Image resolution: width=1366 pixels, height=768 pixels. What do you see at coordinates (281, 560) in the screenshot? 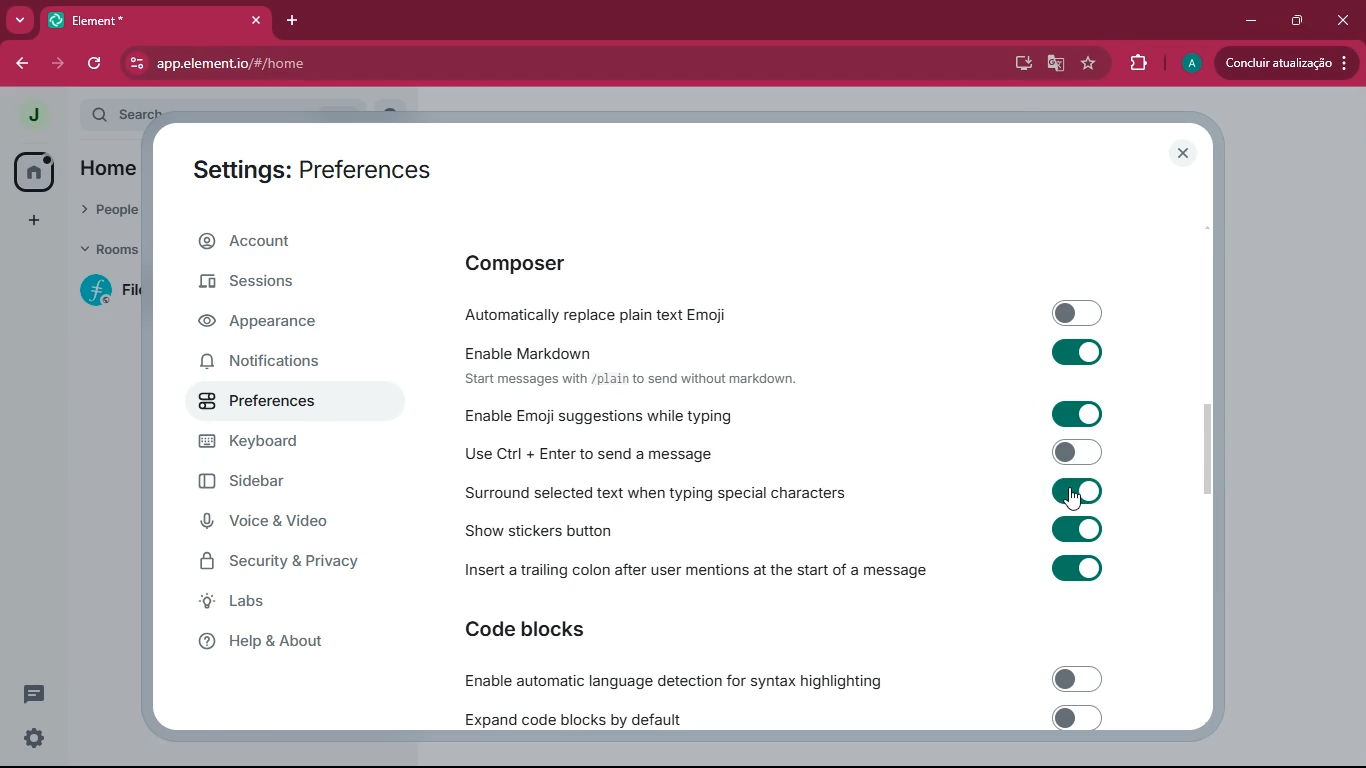
I see `security & privacy` at bounding box center [281, 560].